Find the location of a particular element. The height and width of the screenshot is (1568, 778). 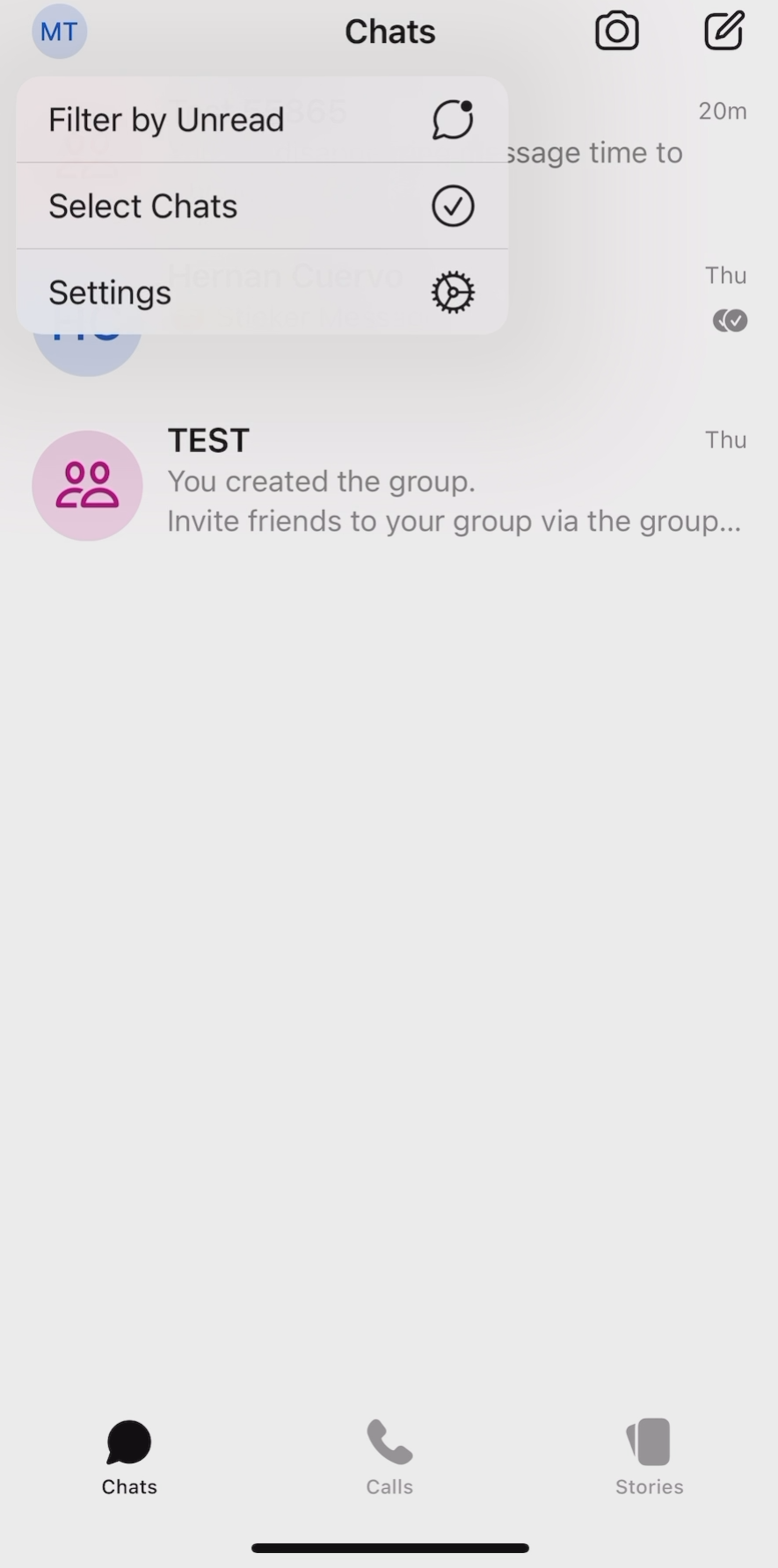

text is located at coordinates (730, 295).